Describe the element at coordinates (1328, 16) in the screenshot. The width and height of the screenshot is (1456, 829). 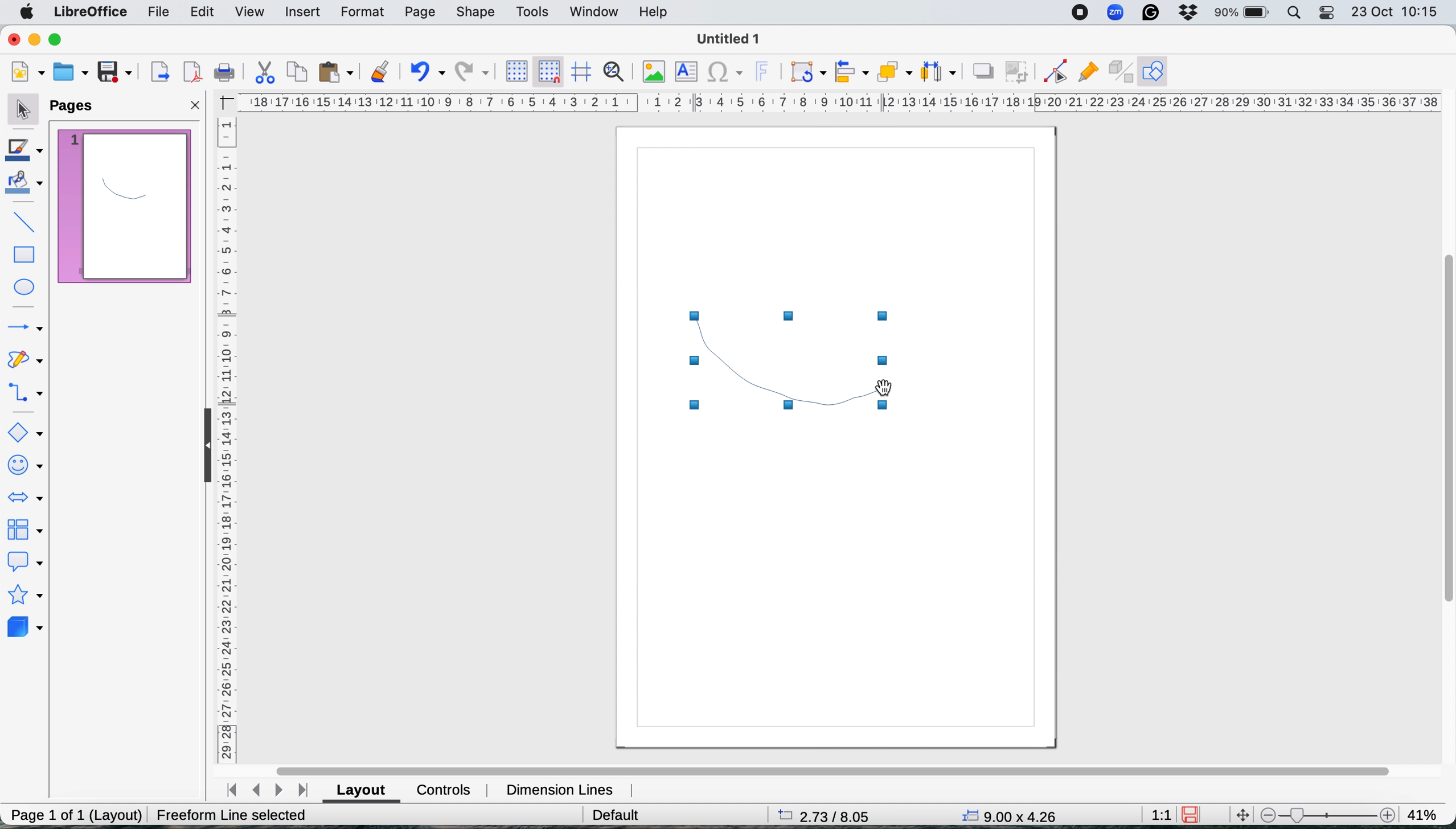
I see `control center` at that location.